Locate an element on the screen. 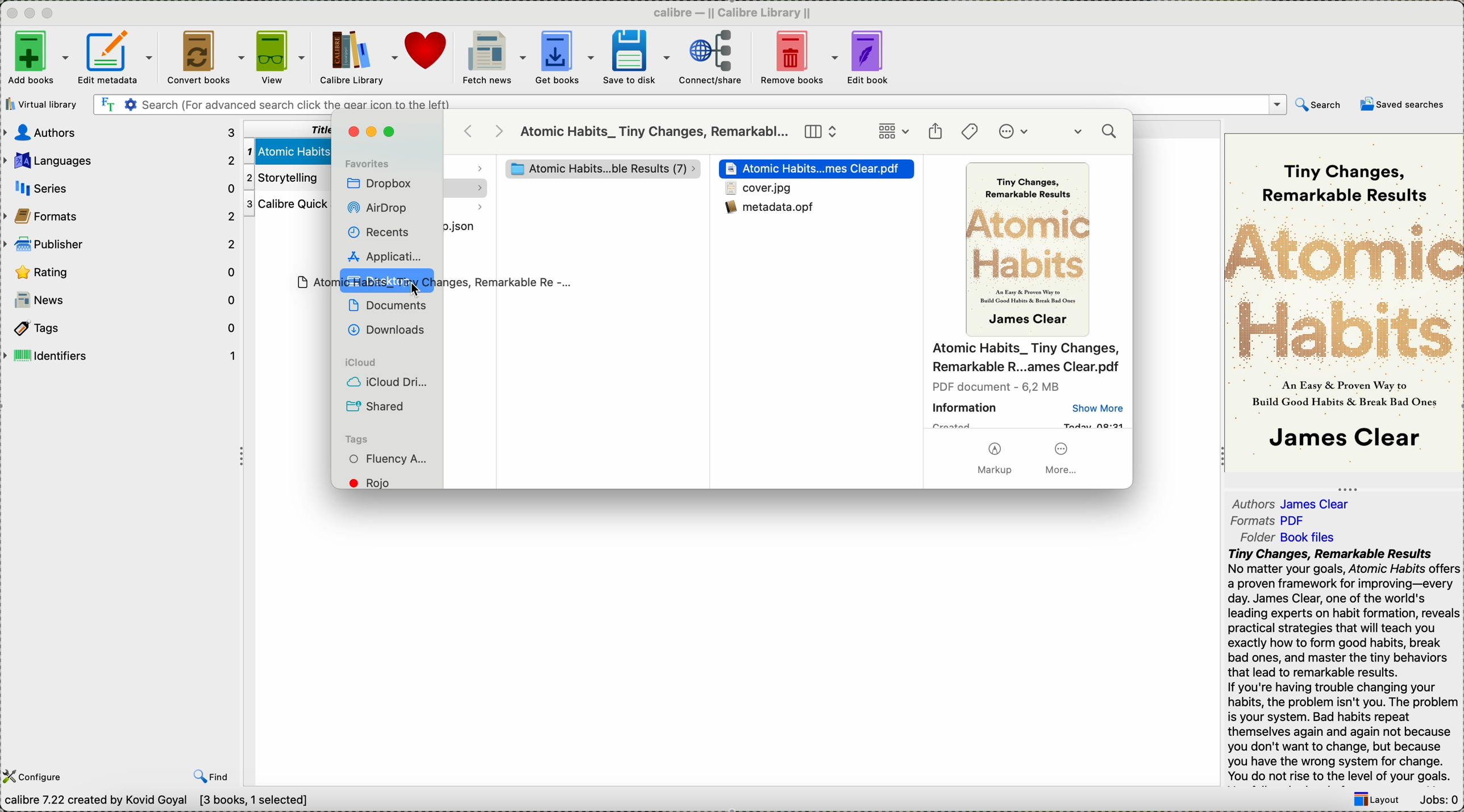 The image size is (1464, 812). find is located at coordinates (211, 776).